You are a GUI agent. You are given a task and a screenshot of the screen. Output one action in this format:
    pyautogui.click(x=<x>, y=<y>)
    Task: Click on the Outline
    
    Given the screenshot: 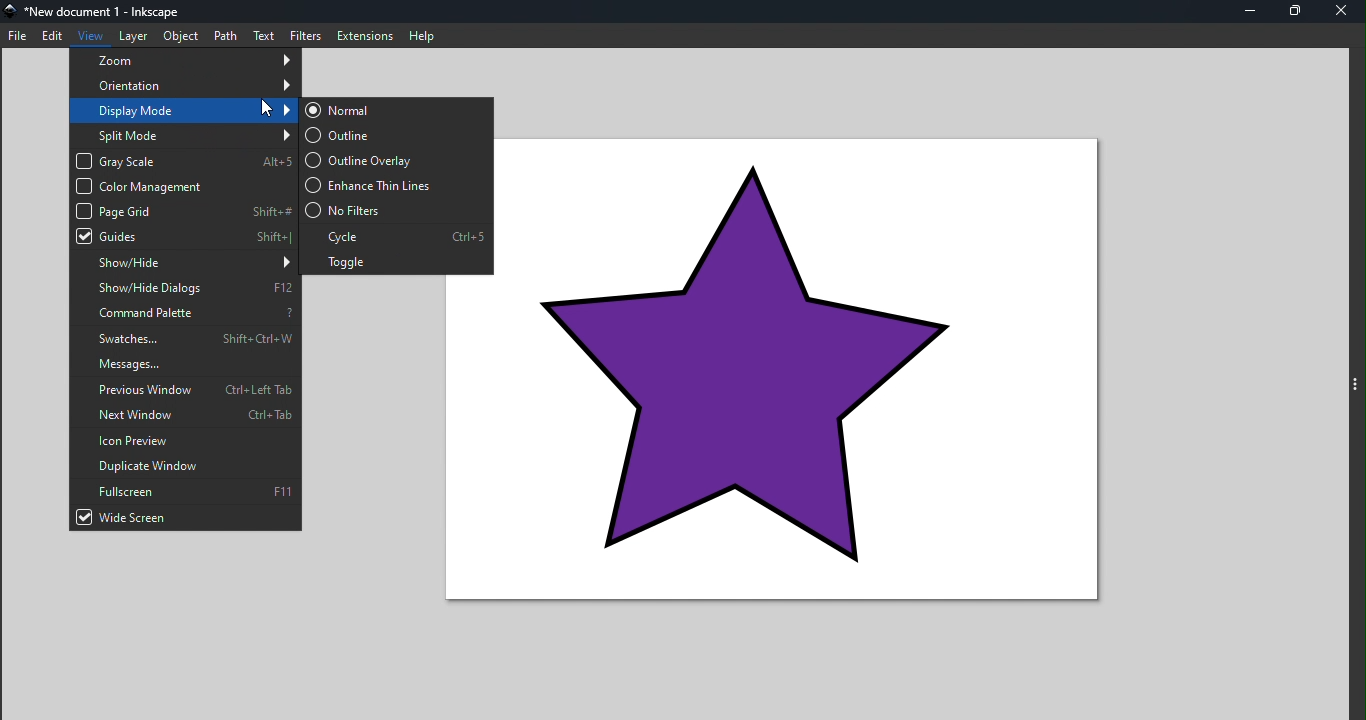 What is the action you would take?
    pyautogui.click(x=395, y=135)
    